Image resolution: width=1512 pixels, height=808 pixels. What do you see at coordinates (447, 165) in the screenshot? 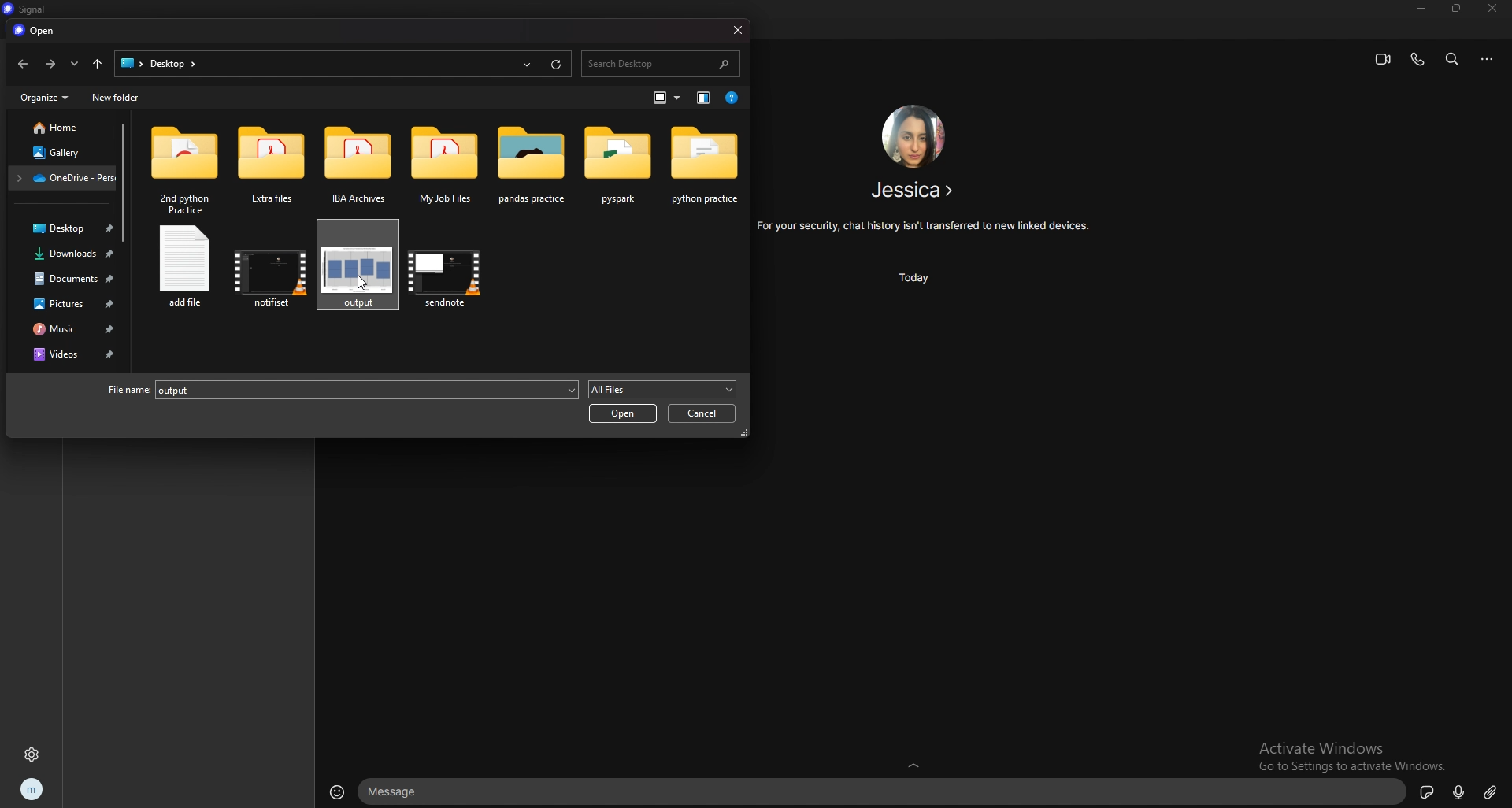
I see `folder` at bounding box center [447, 165].